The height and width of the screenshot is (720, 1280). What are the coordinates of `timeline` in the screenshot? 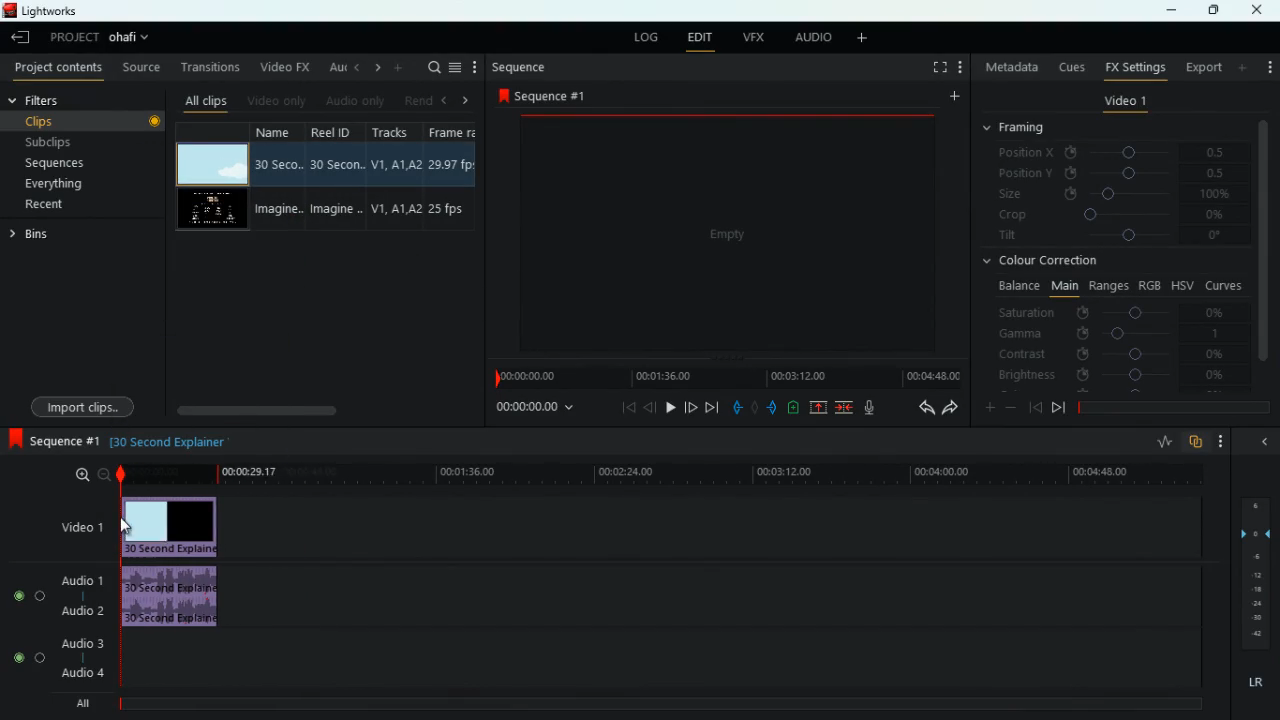 It's located at (1171, 407).